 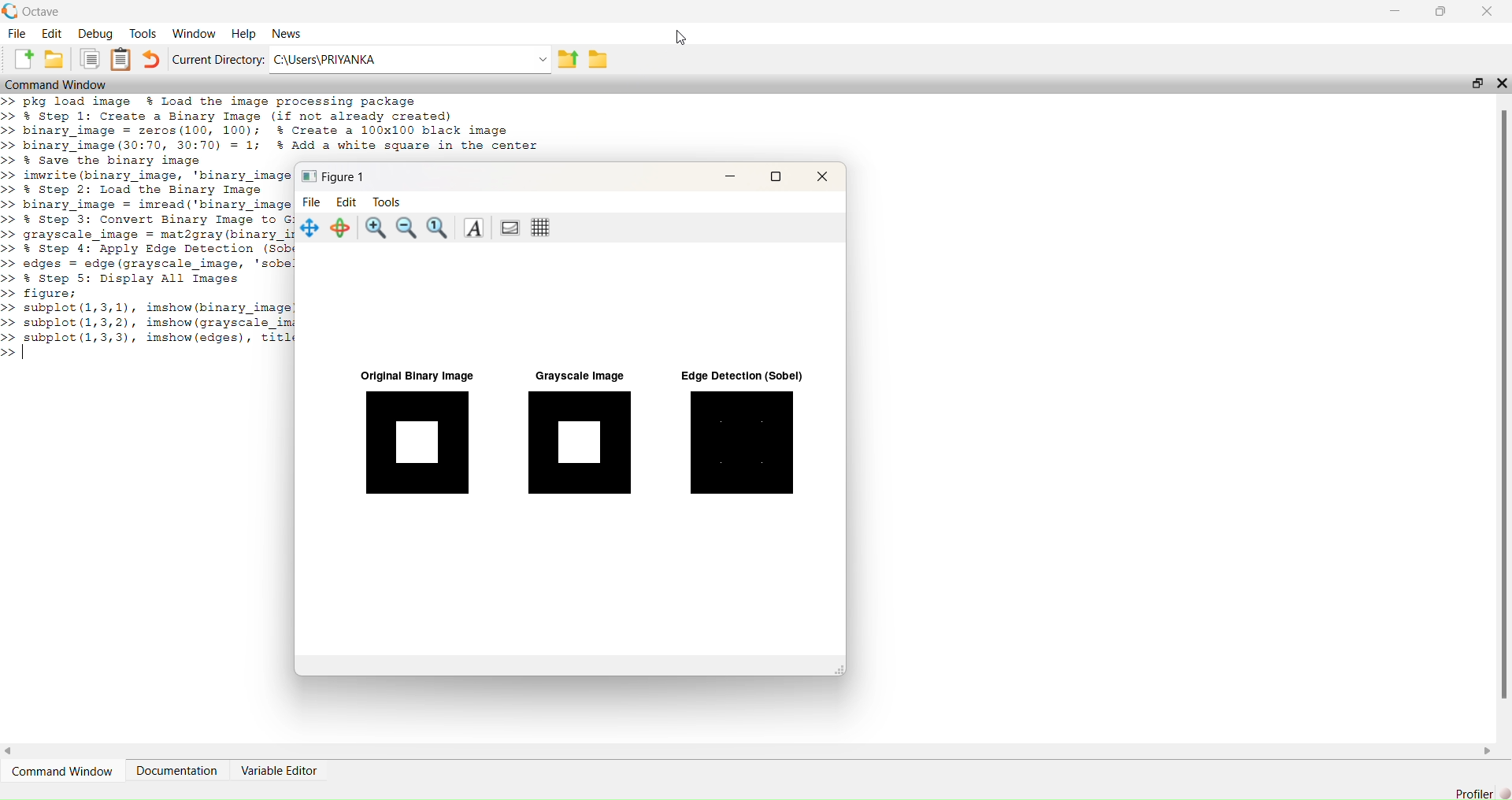 I want to click on News, so click(x=286, y=33).